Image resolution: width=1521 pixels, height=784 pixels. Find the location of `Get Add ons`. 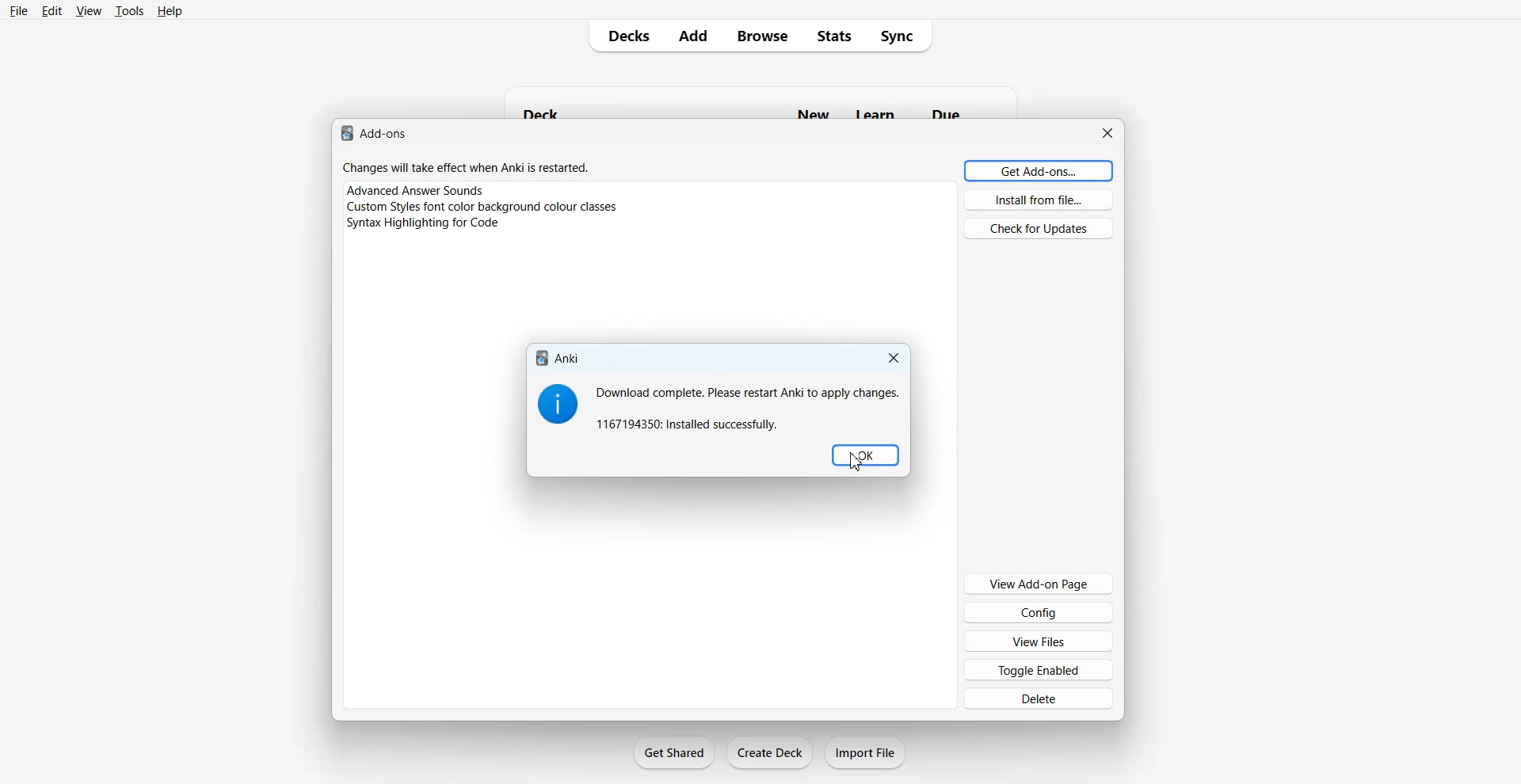

Get Add ons is located at coordinates (1039, 170).